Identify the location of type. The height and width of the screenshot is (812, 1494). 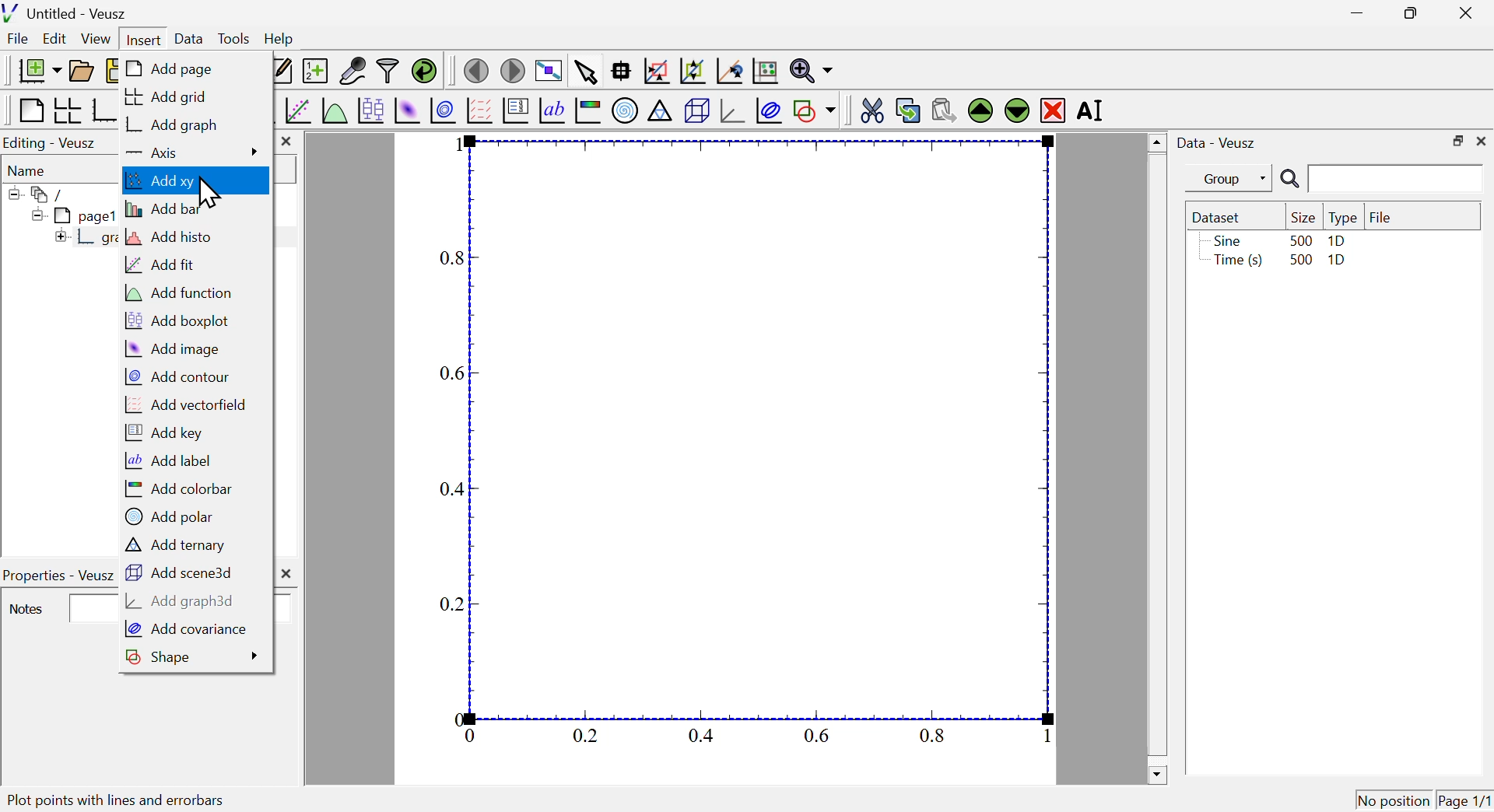
(1343, 218).